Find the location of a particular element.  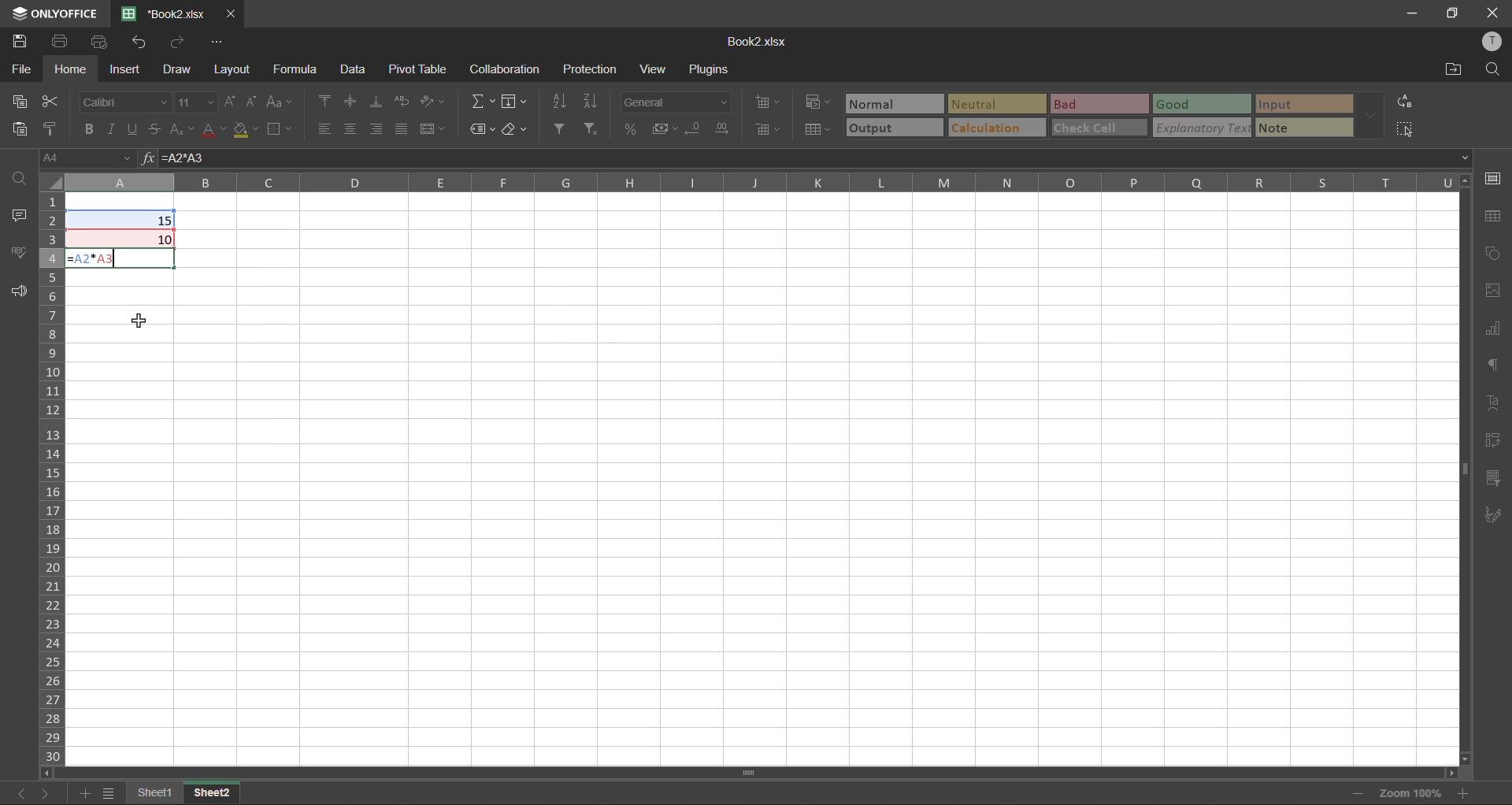

row numbers is located at coordinates (54, 476).